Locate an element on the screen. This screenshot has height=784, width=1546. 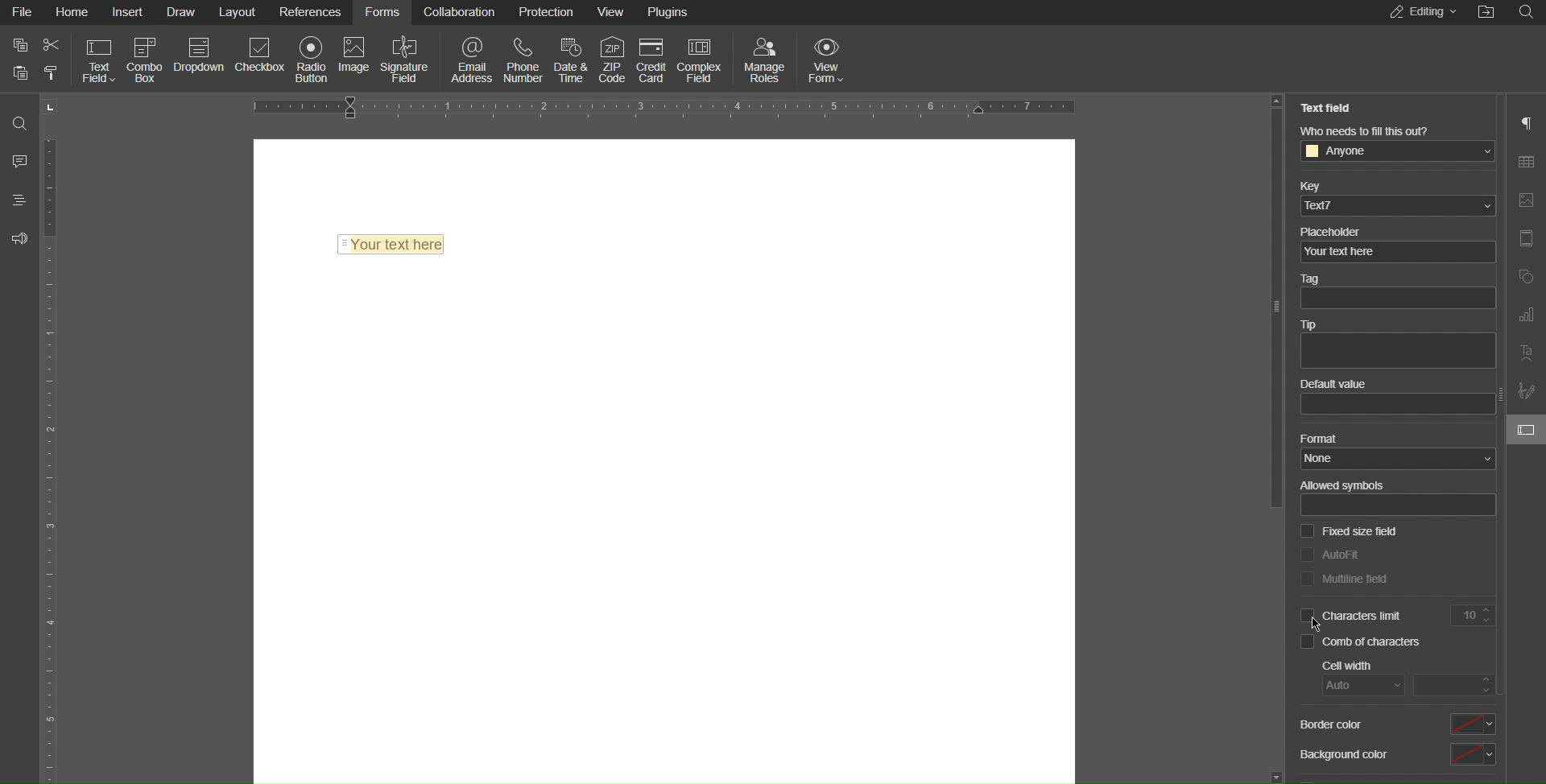
Home is located at coordinates (72, 12).